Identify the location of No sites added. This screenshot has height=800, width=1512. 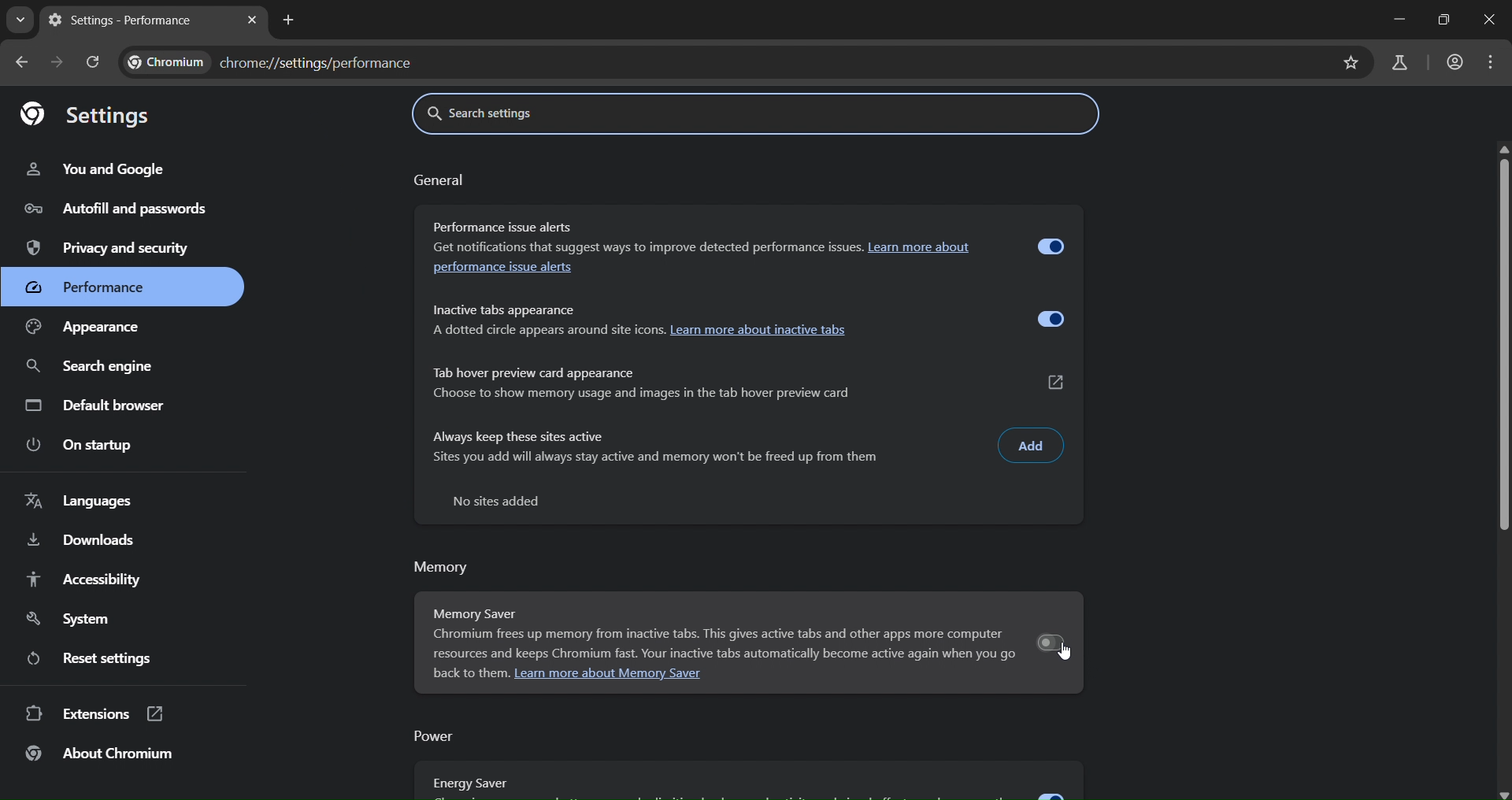
(496, 503).